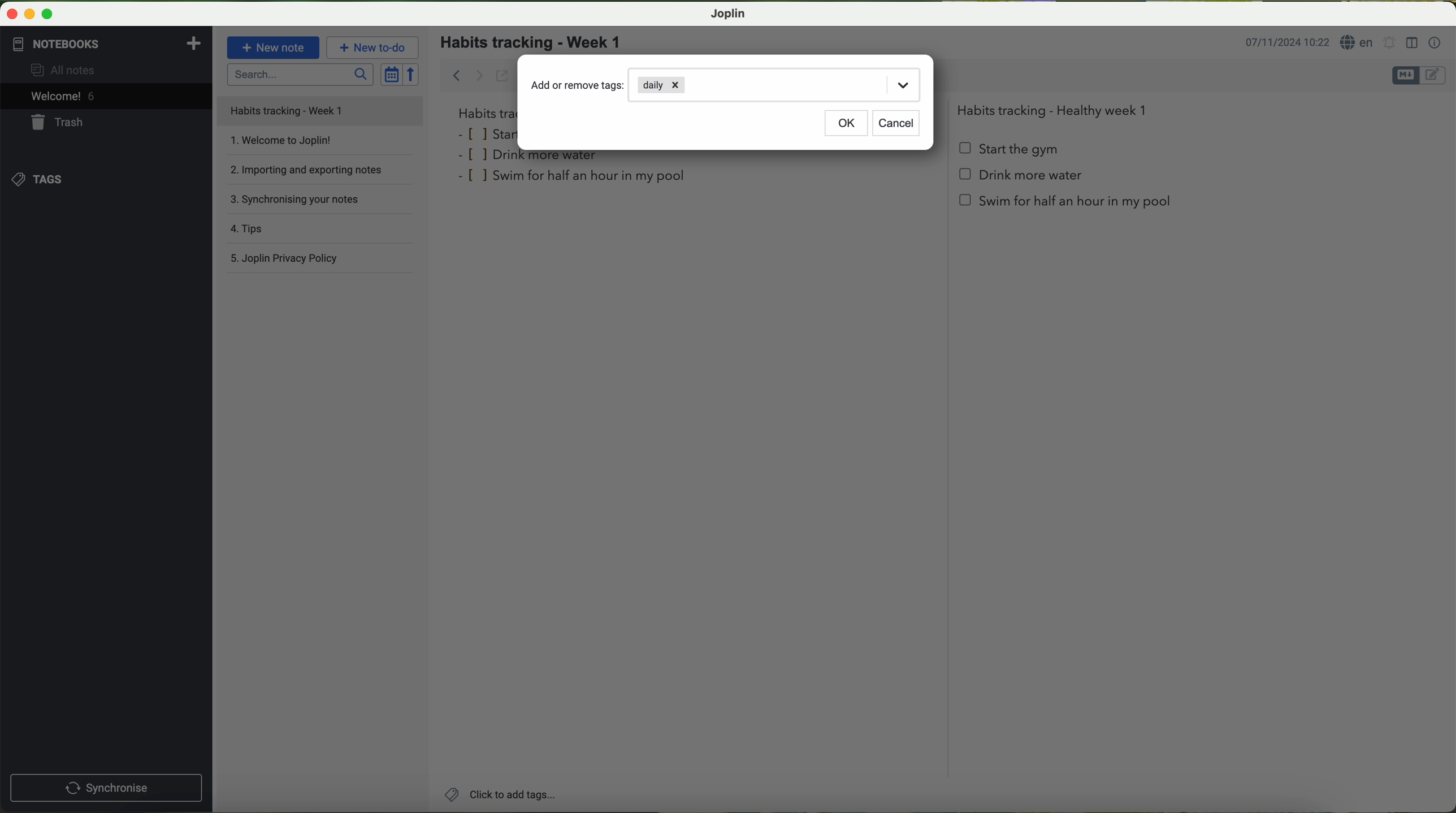 The height and width of the screenshot is (813, 1456). Describe the element at coordinates (391, 74) in the screenshot. I see `toggle sort order field` at that location.